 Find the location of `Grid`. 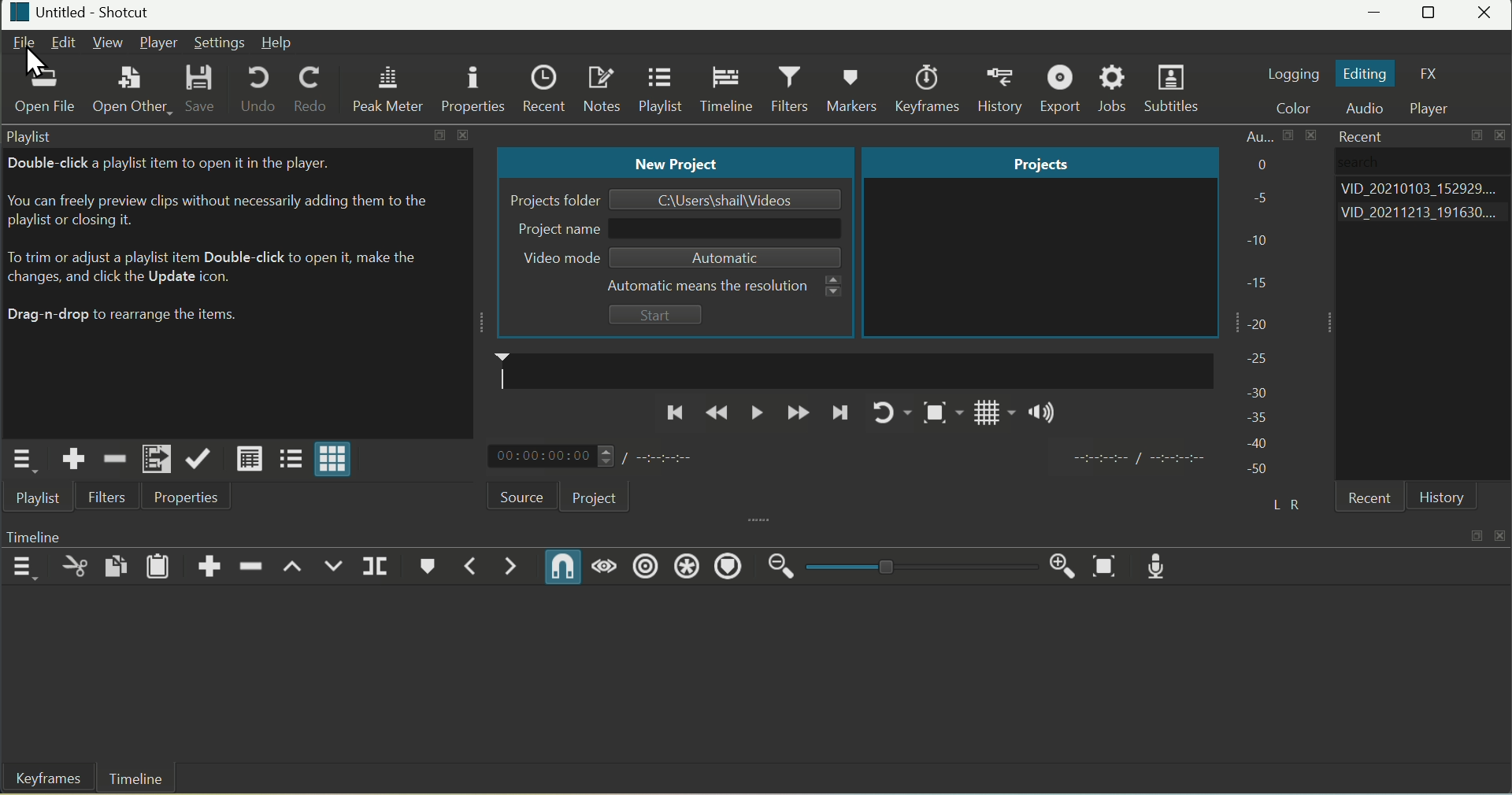

Grid is located at coordinates (984, 417).